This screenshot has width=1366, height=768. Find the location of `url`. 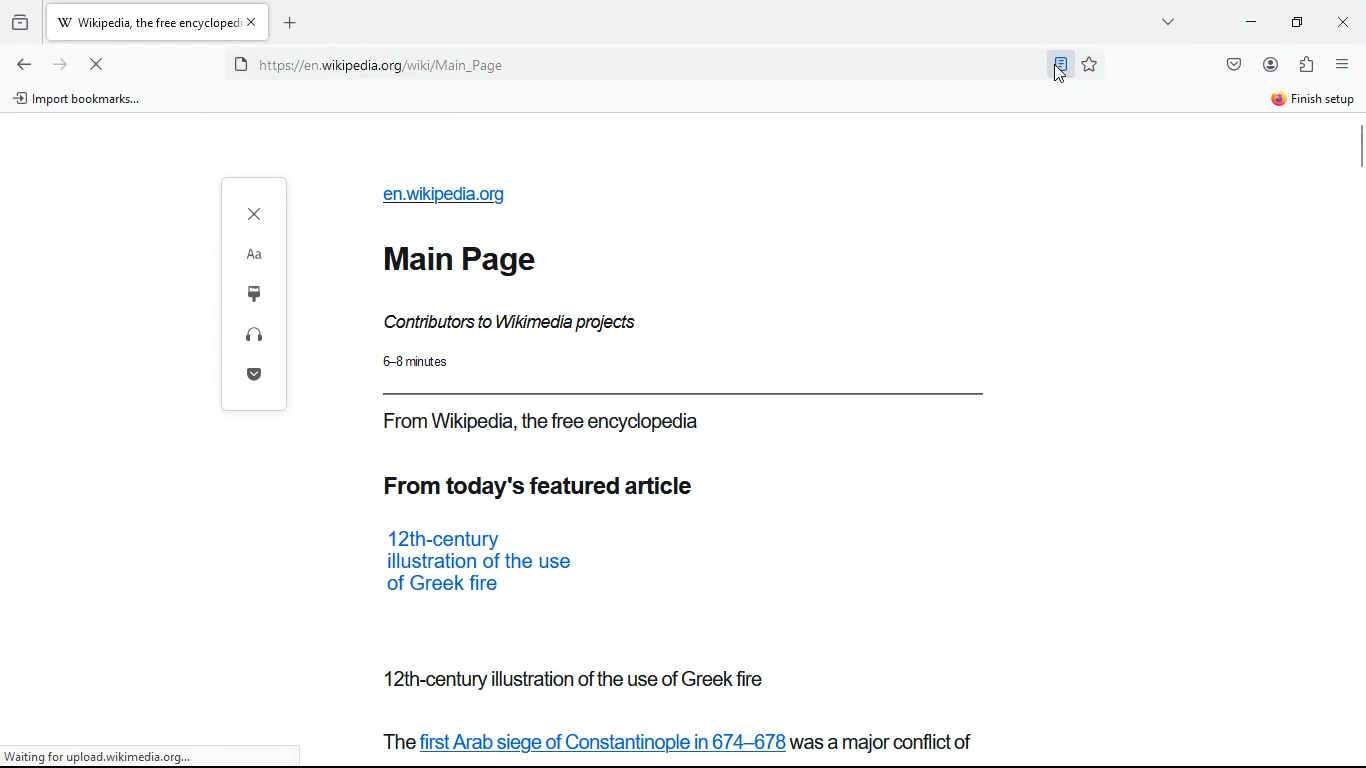

url is located at coordinates (391, 66).